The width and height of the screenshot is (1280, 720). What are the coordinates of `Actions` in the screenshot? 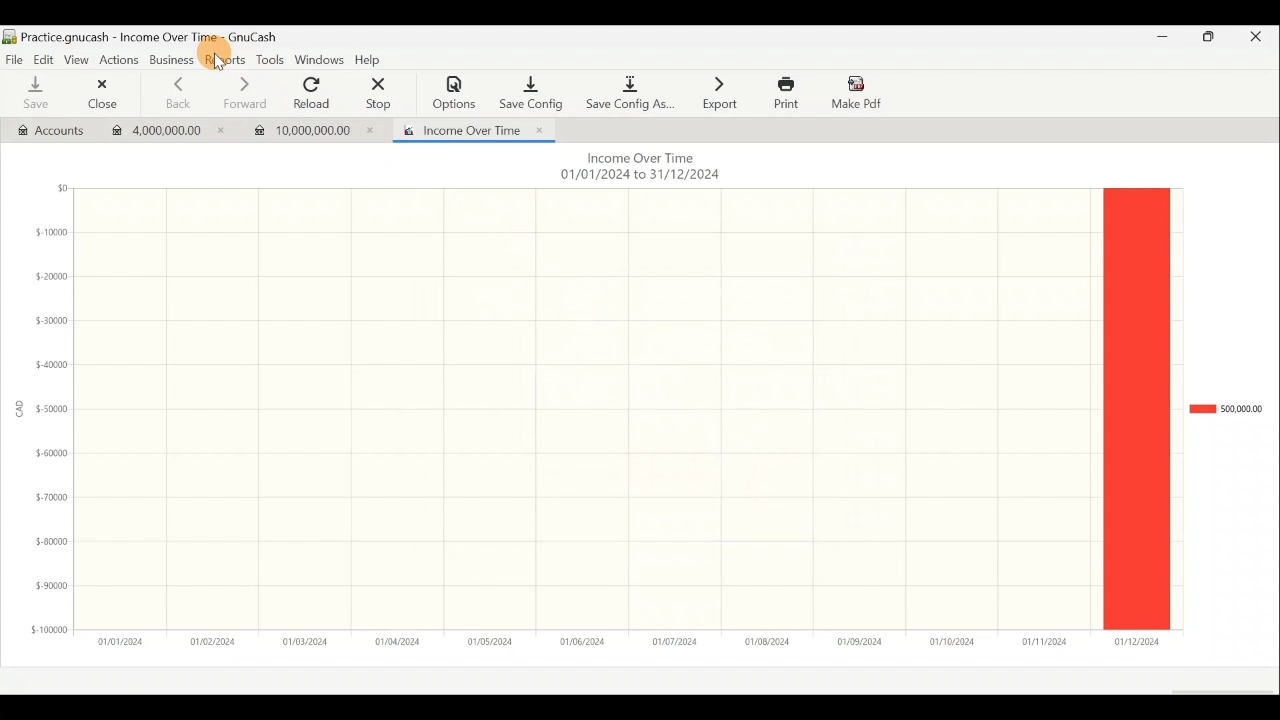 It's located at (119, 59).